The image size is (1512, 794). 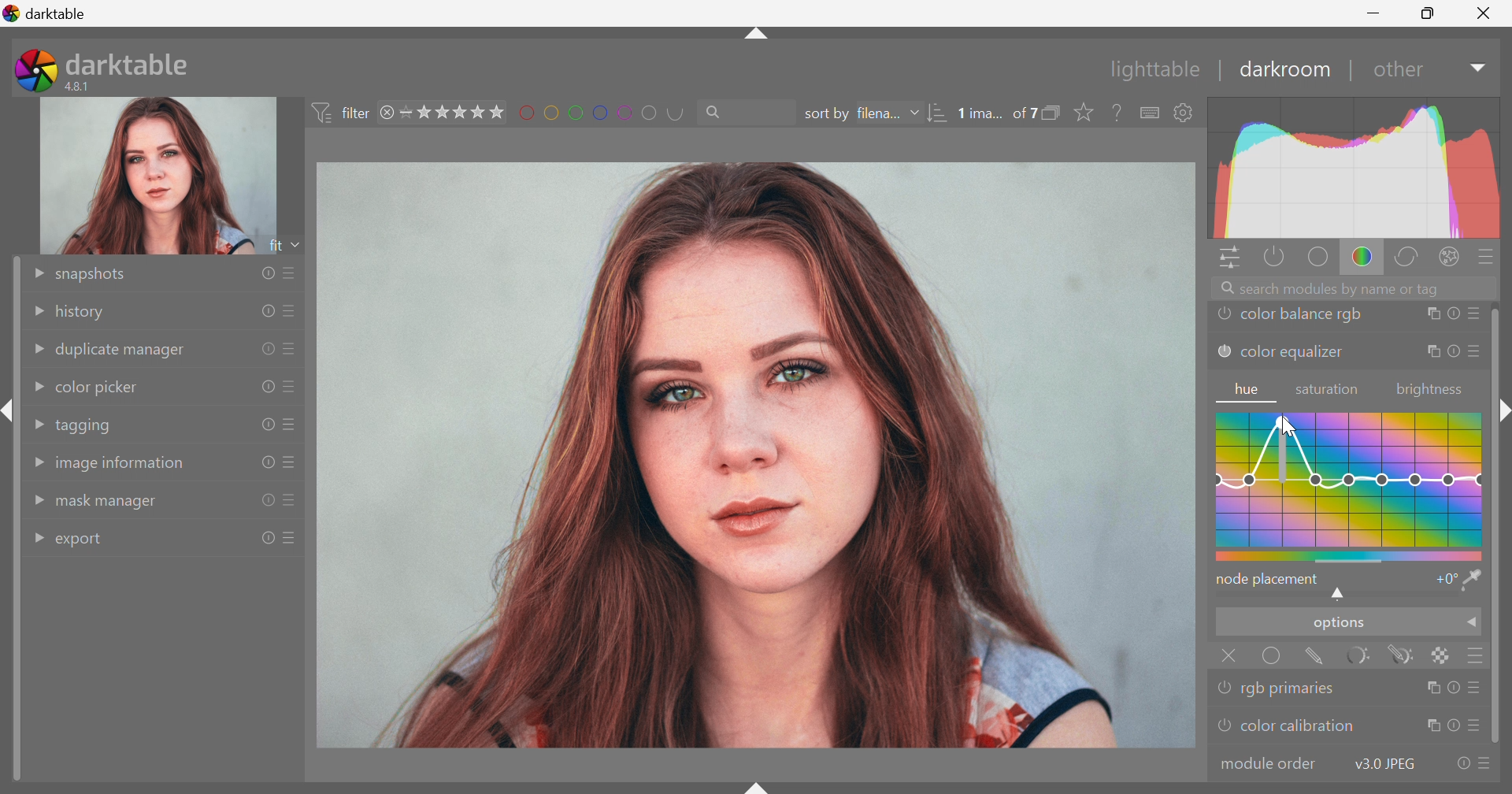 I want to click on snapshots, so click(x=95, y=274).